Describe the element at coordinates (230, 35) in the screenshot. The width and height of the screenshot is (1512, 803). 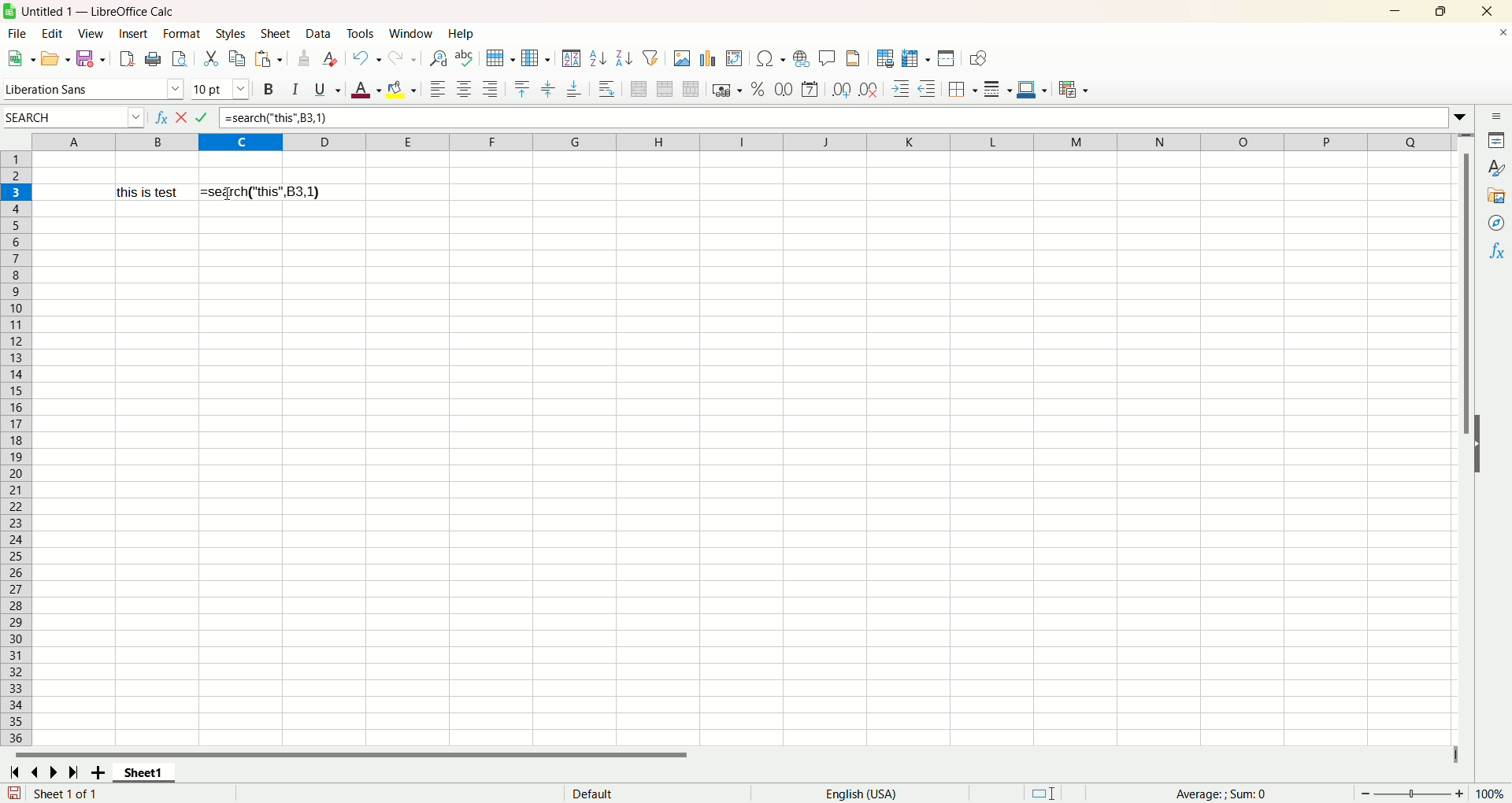
I see `styles` at that location.